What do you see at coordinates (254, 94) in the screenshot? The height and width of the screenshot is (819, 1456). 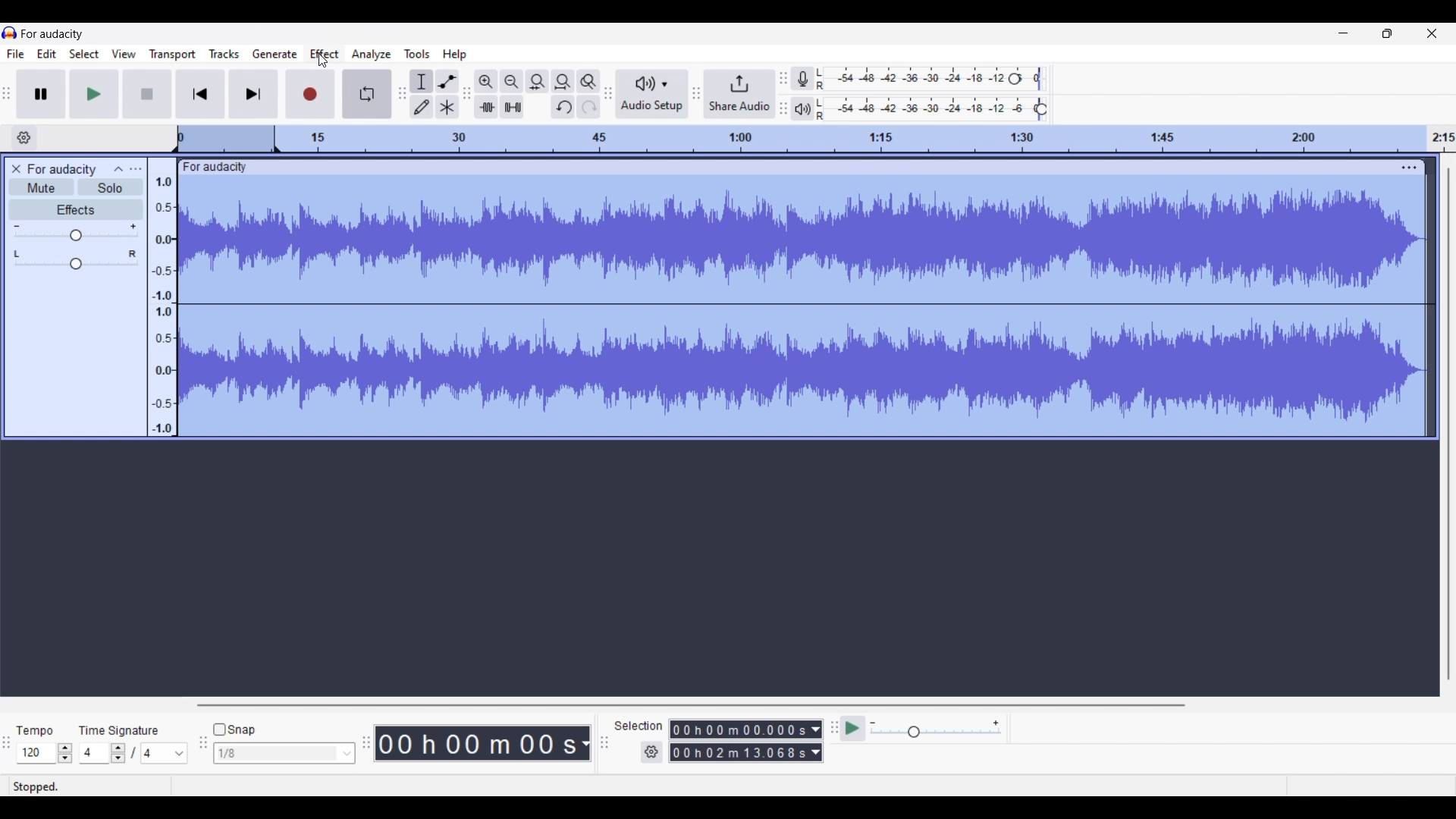 I see `Skip/Select to end` at bounding box center [254, 94].